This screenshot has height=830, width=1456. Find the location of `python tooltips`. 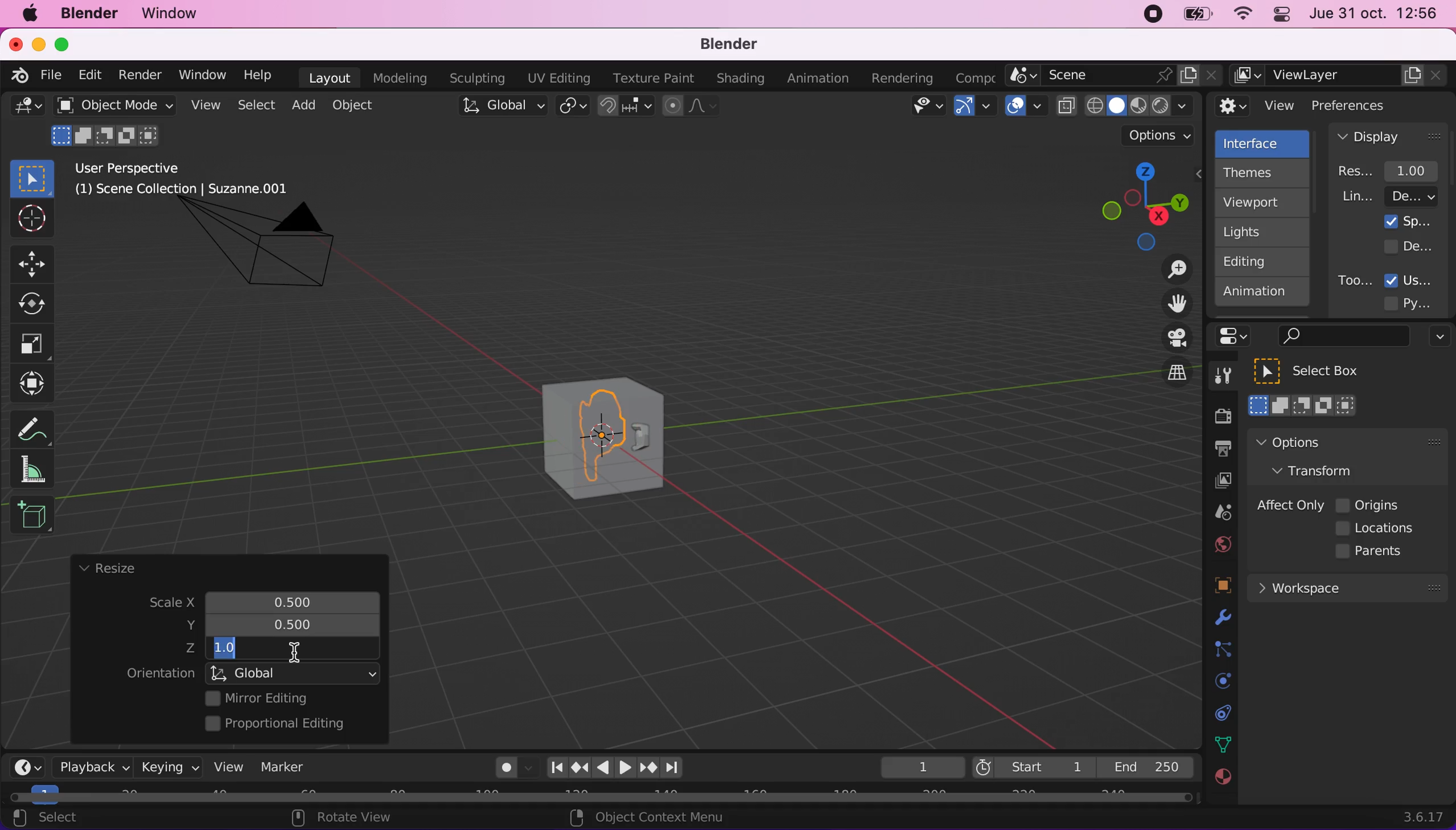

python tooltips is located at coordinates (1421, 302).